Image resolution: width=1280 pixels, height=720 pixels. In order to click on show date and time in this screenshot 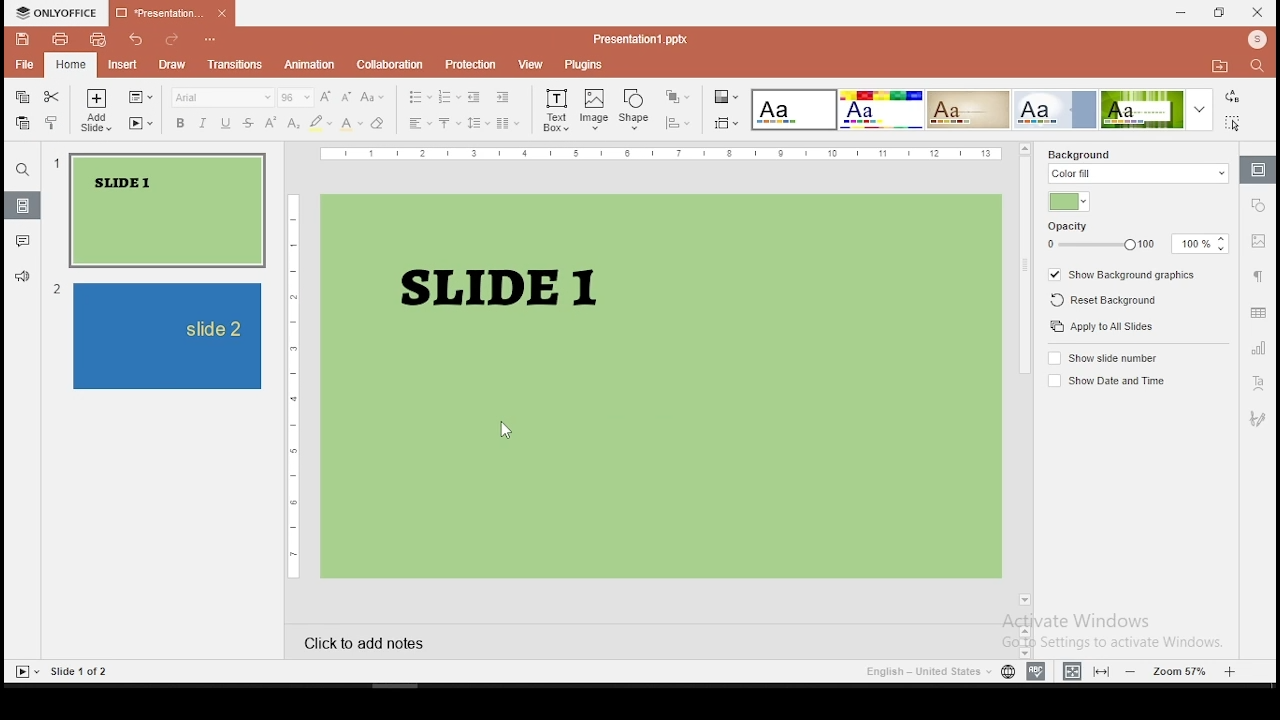, I will do `click(1105, 380)`.